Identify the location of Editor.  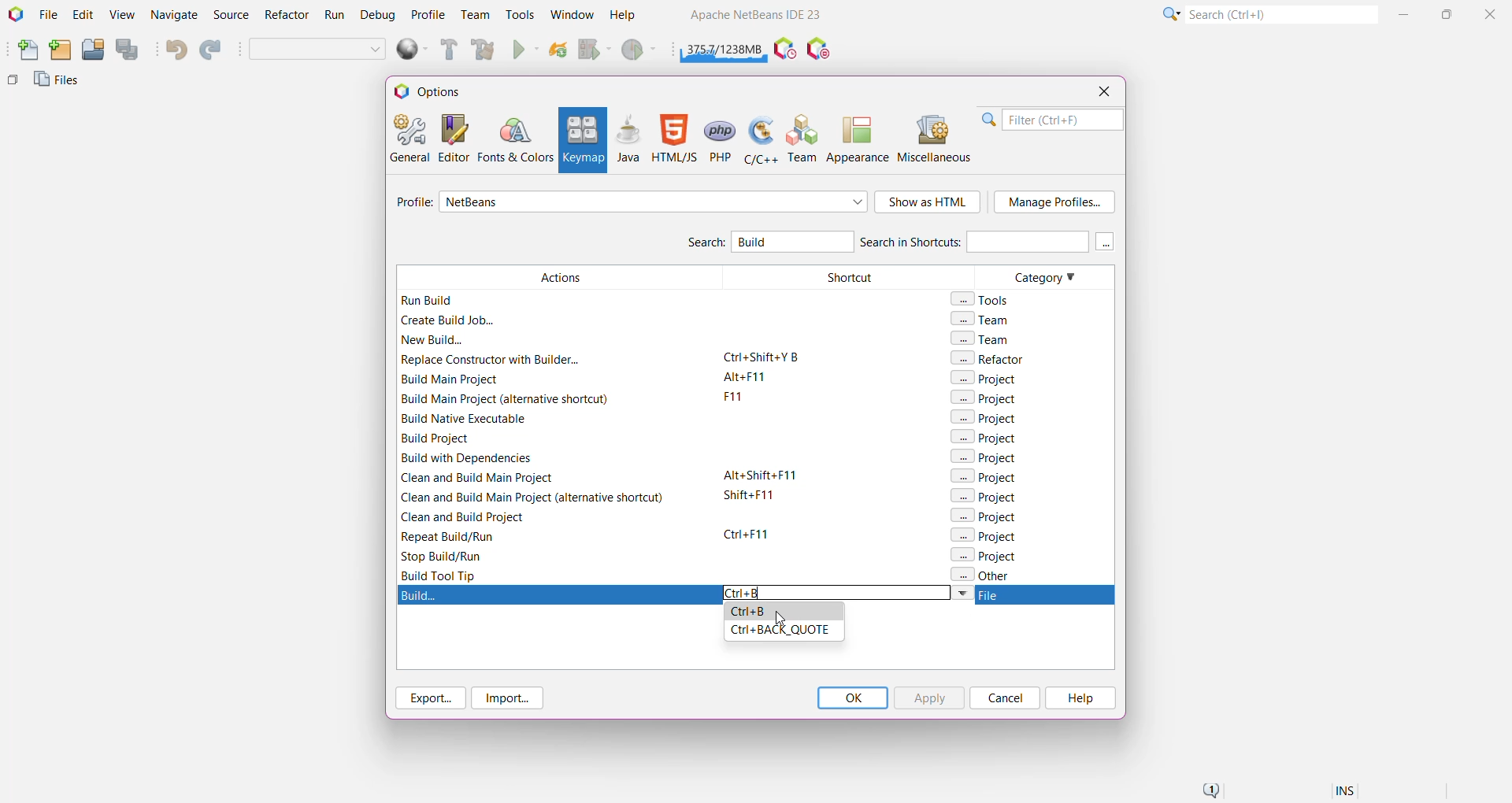
(450, 138).